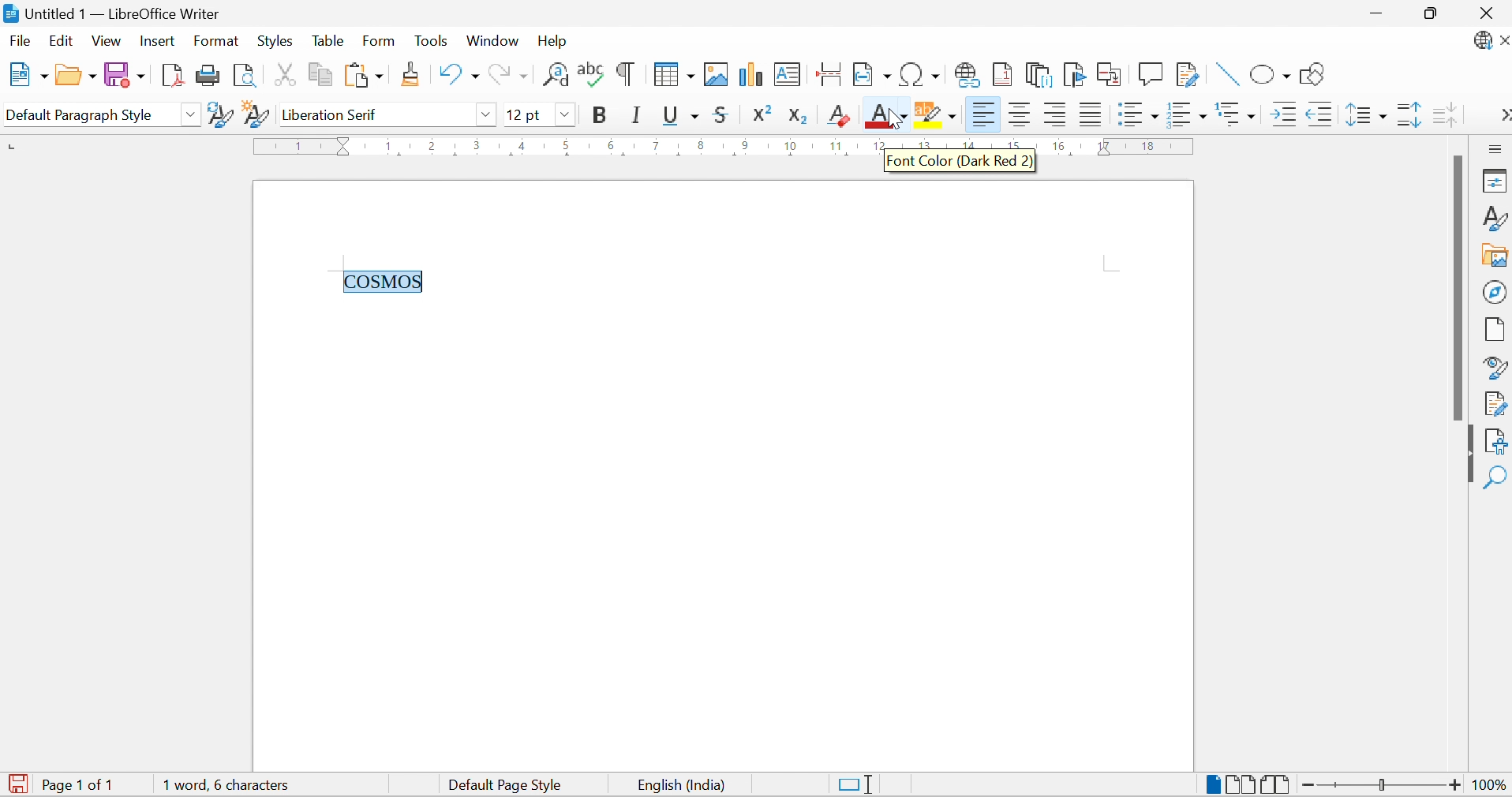 This screenshot has width=1512, height=797. Describe the element at coordinates (1014, 146) in the screenshot. I see `15` at that location.